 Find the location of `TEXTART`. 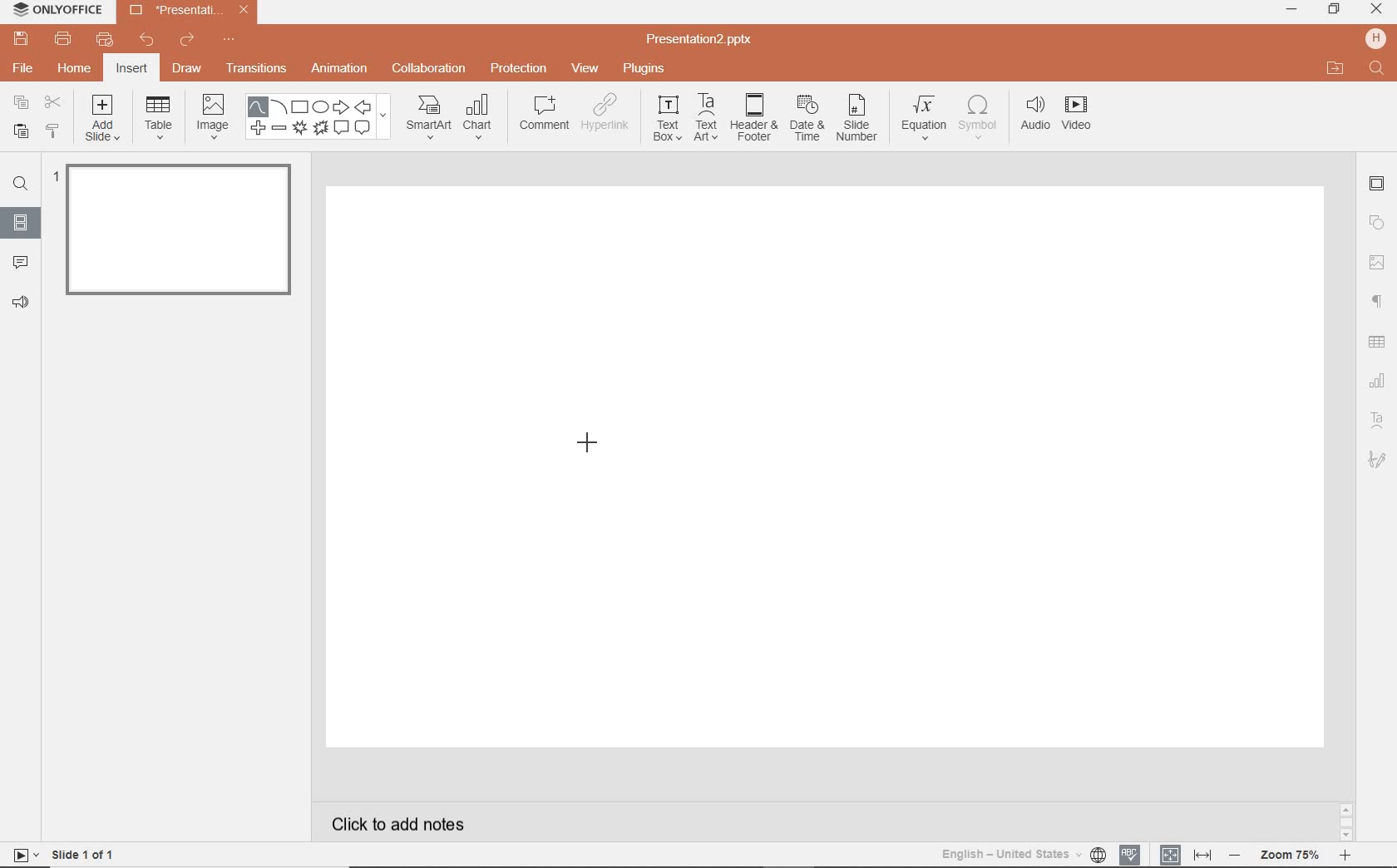

TEXTART is located at coordinates (706, 119).